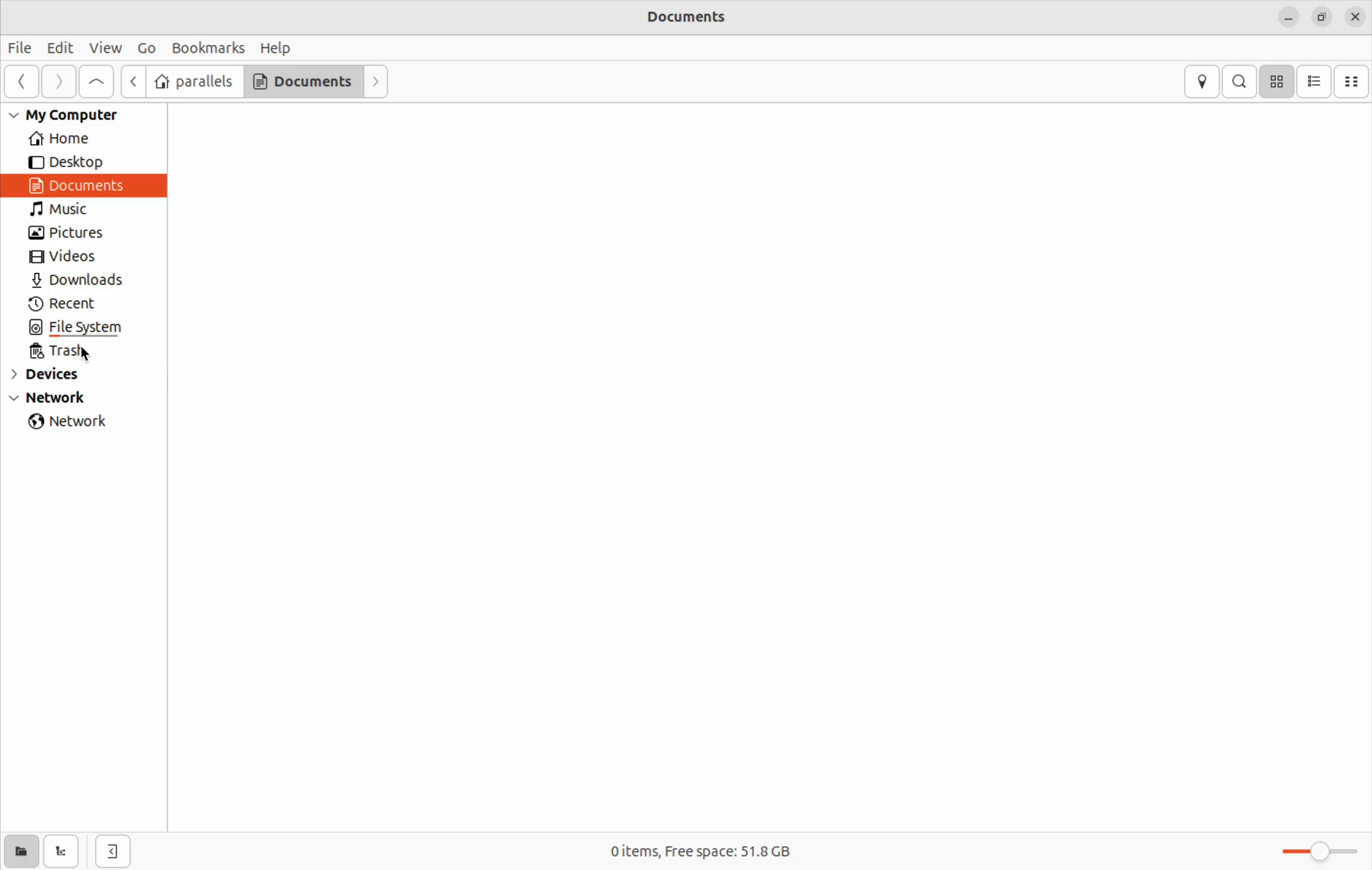  What do you see at coordinates (690, 18) in the screenshot?
I see `Documents` at bounding box center [690, 18].